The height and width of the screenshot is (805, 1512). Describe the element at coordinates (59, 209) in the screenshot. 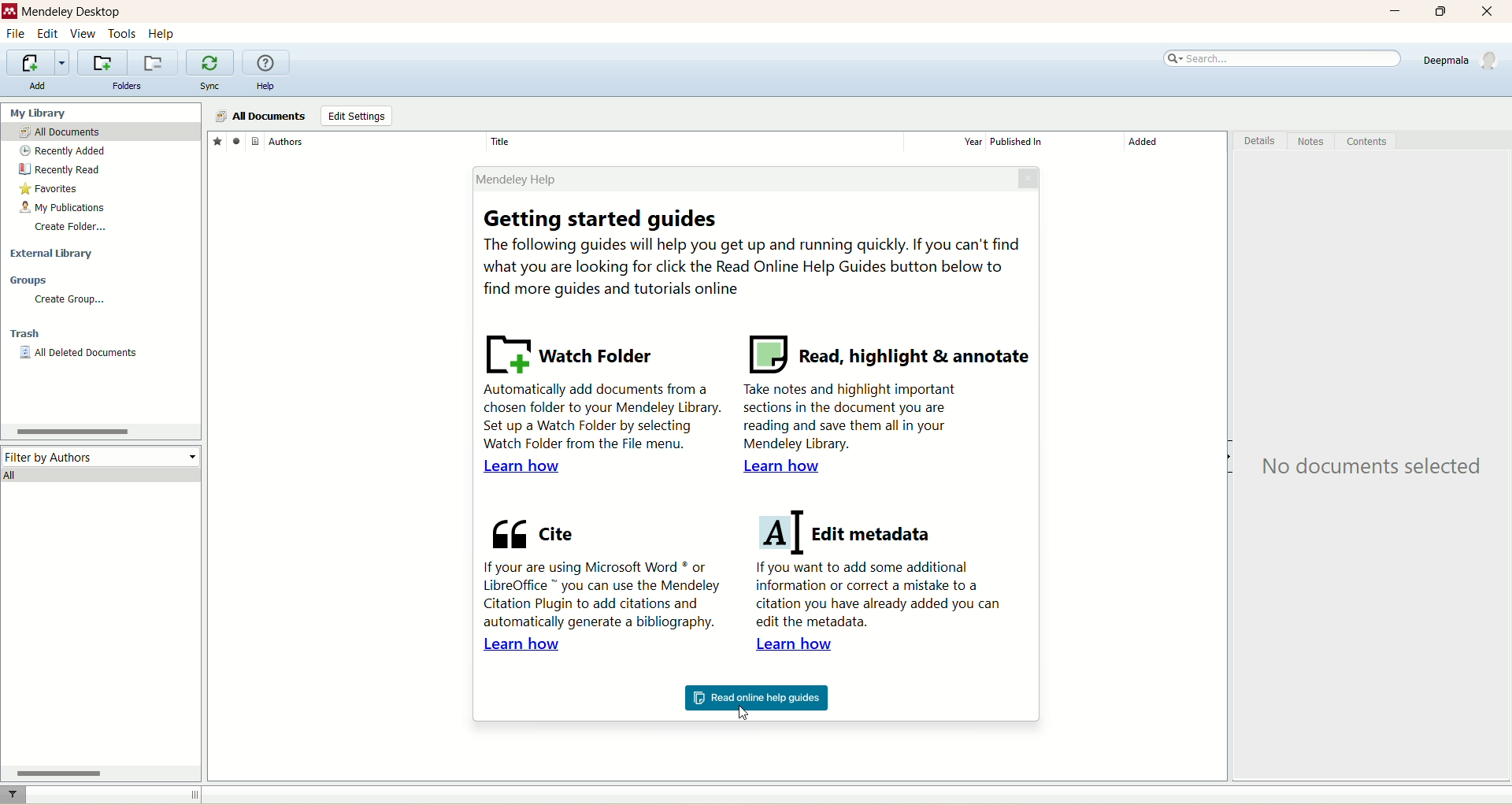

I see `my publications` at that location.